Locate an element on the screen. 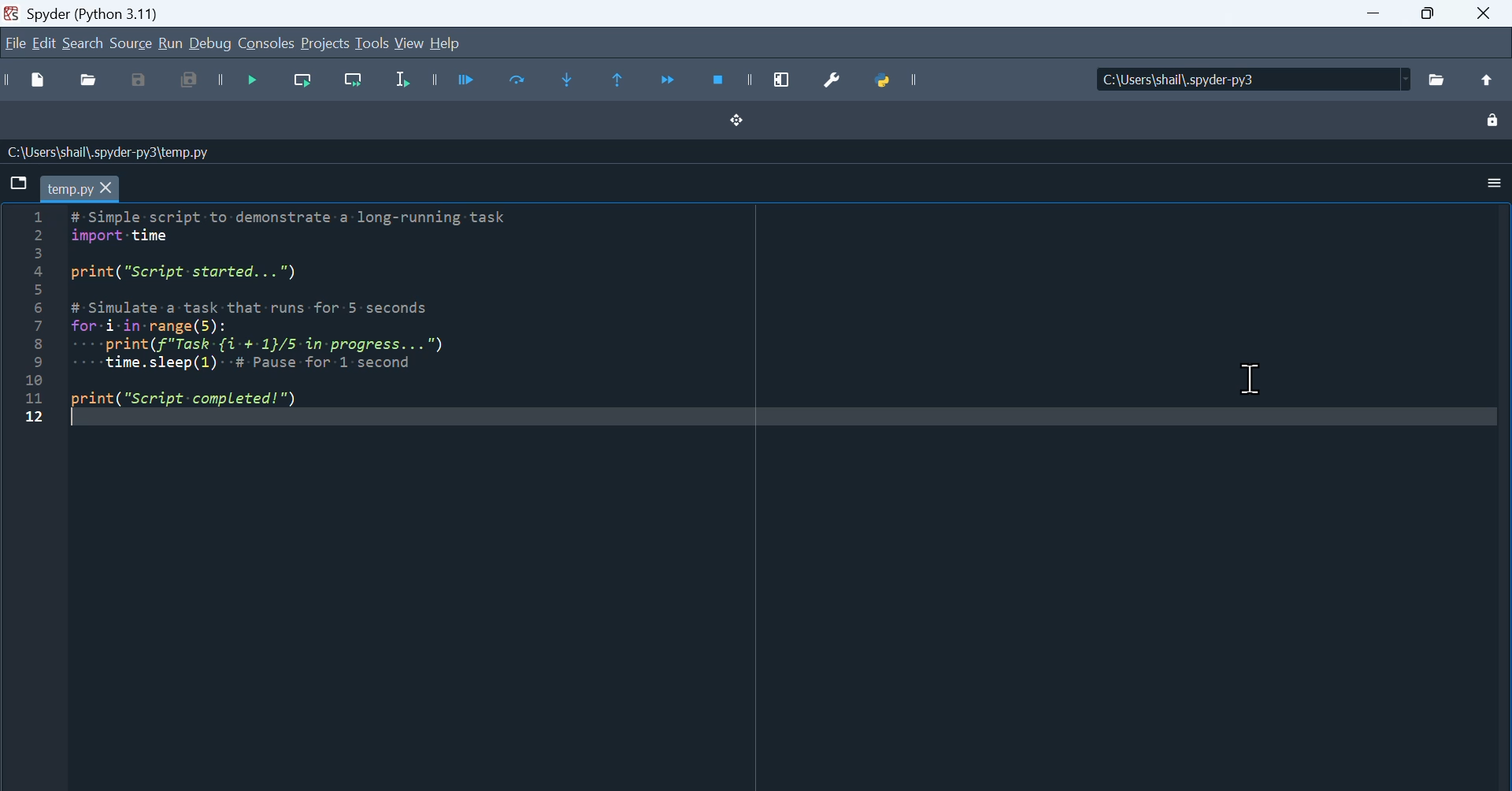  tab is located at coordinates (81, 189).